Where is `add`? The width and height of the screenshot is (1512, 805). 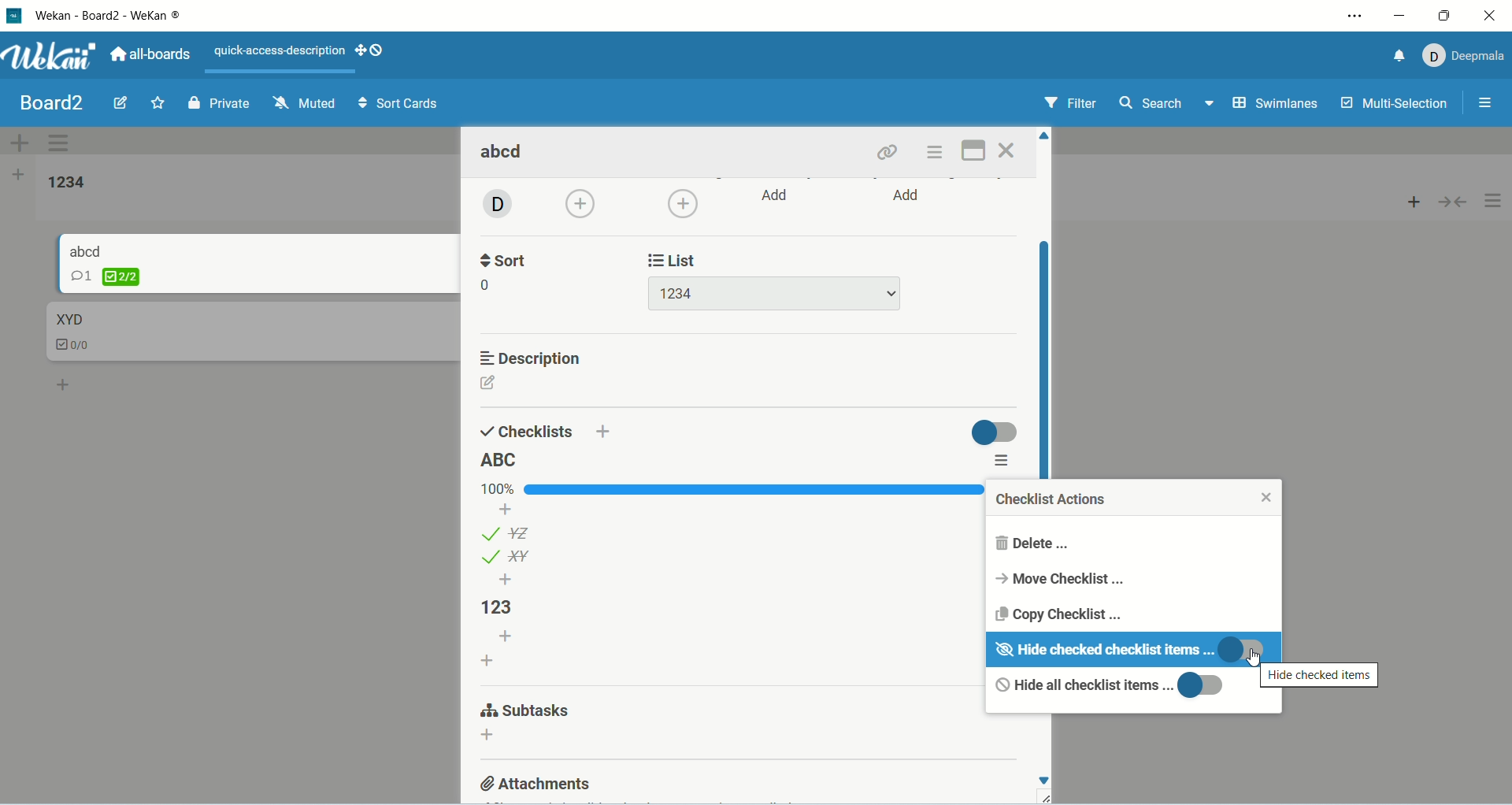
add is located at coordinates (583, 205).